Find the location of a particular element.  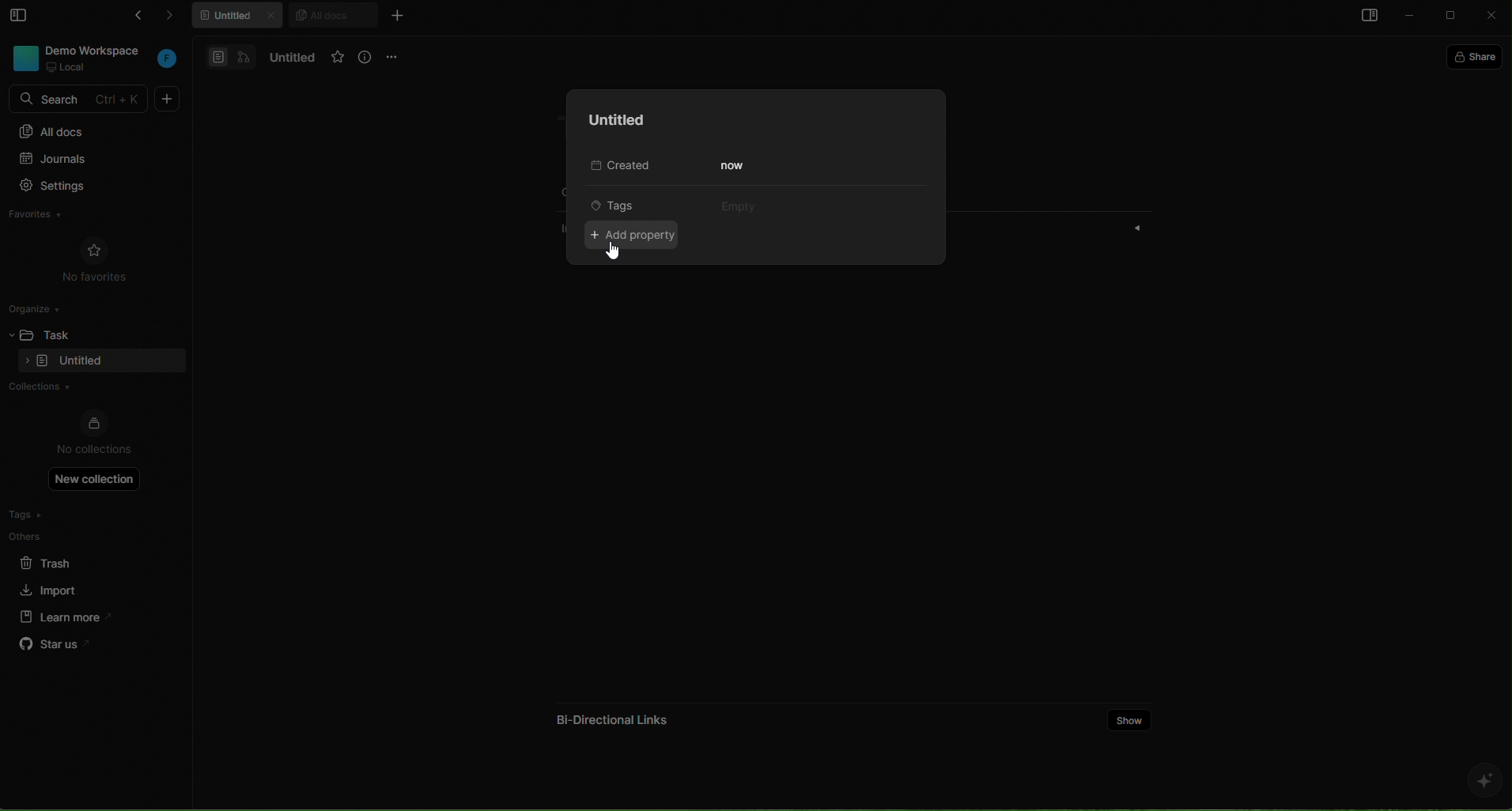

go back is located at coordinates (134, 18).